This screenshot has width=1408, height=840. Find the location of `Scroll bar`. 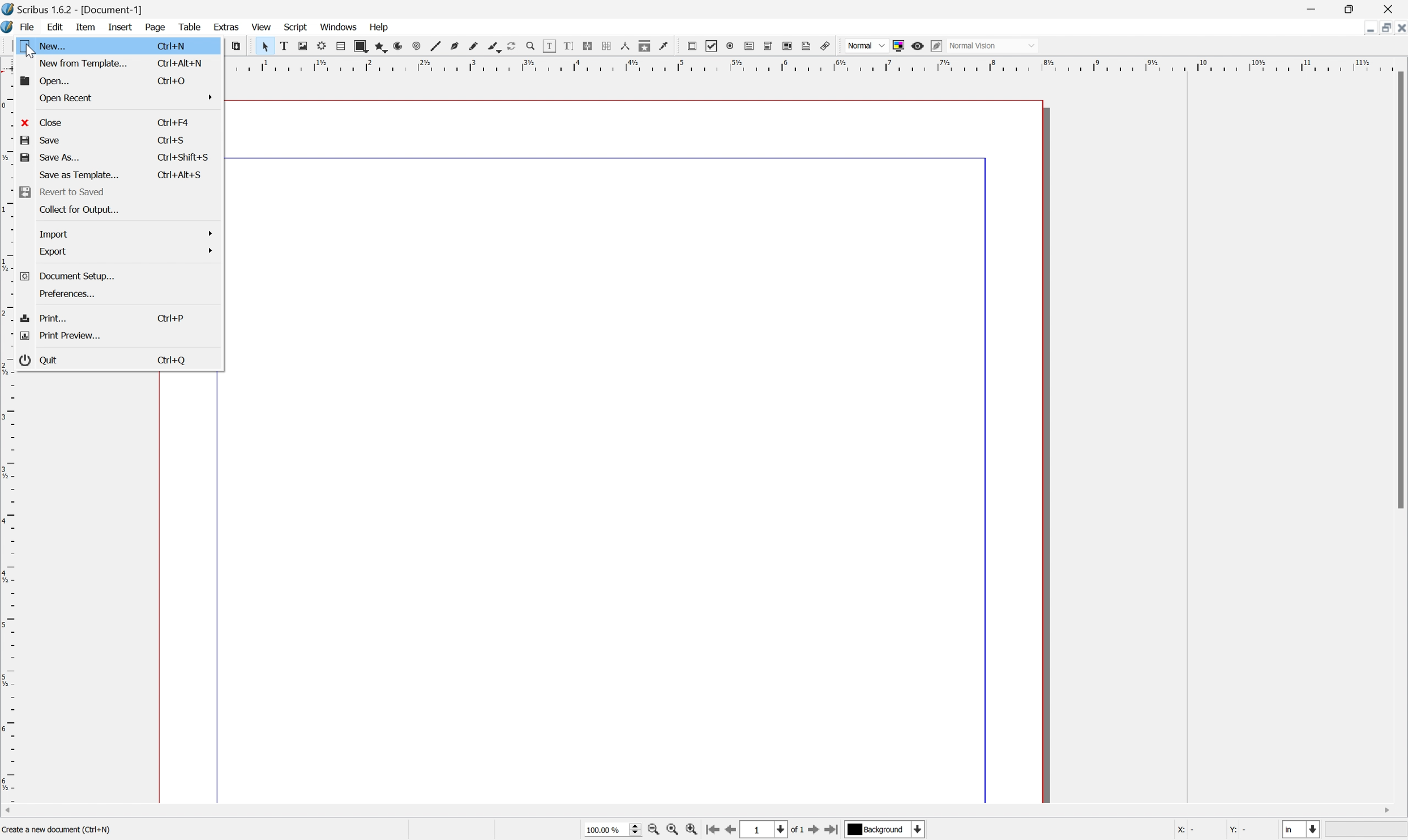

Scroll bar is located at coordinates (712, 809).